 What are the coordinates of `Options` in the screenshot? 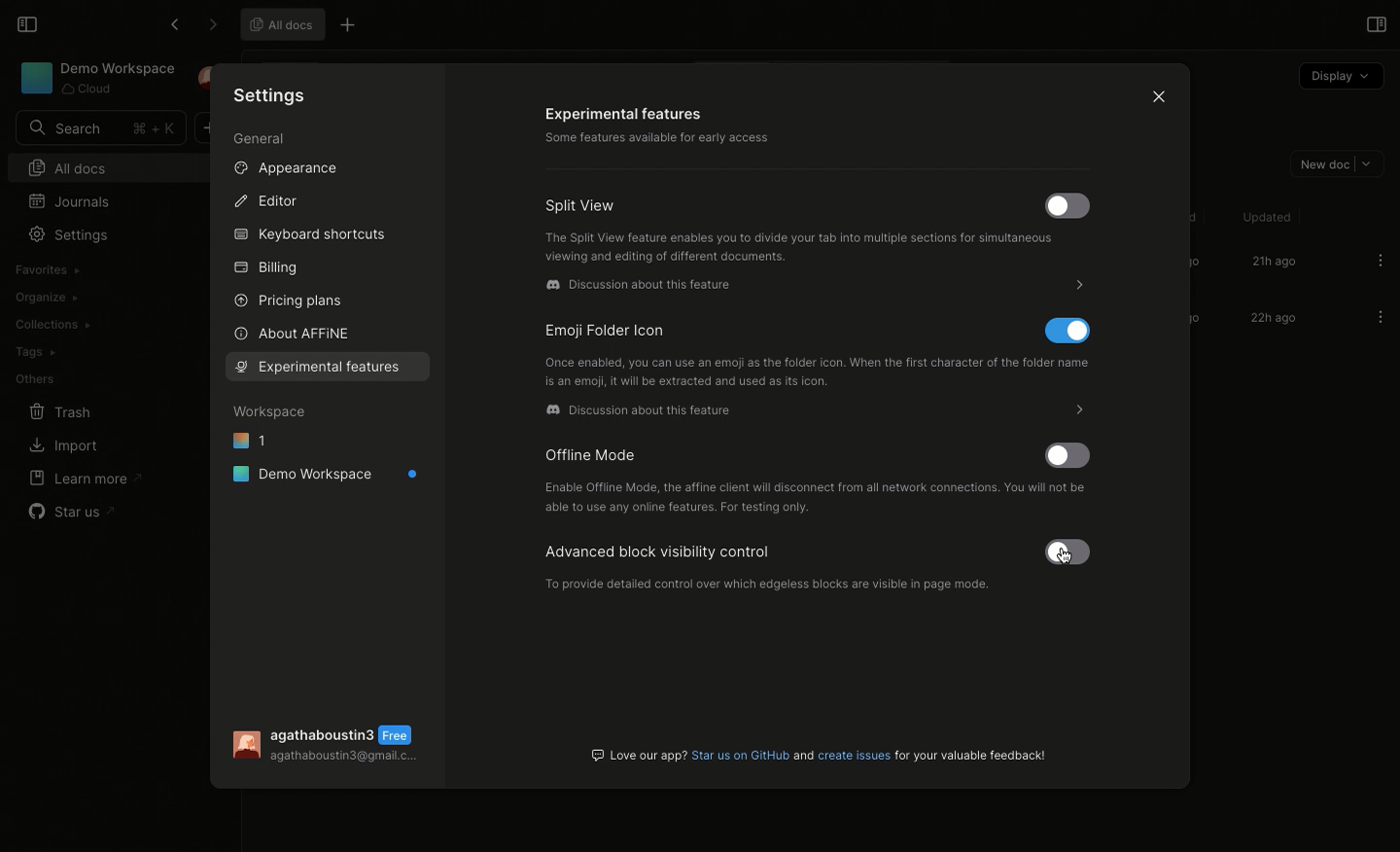 It's located at (1381, 260).